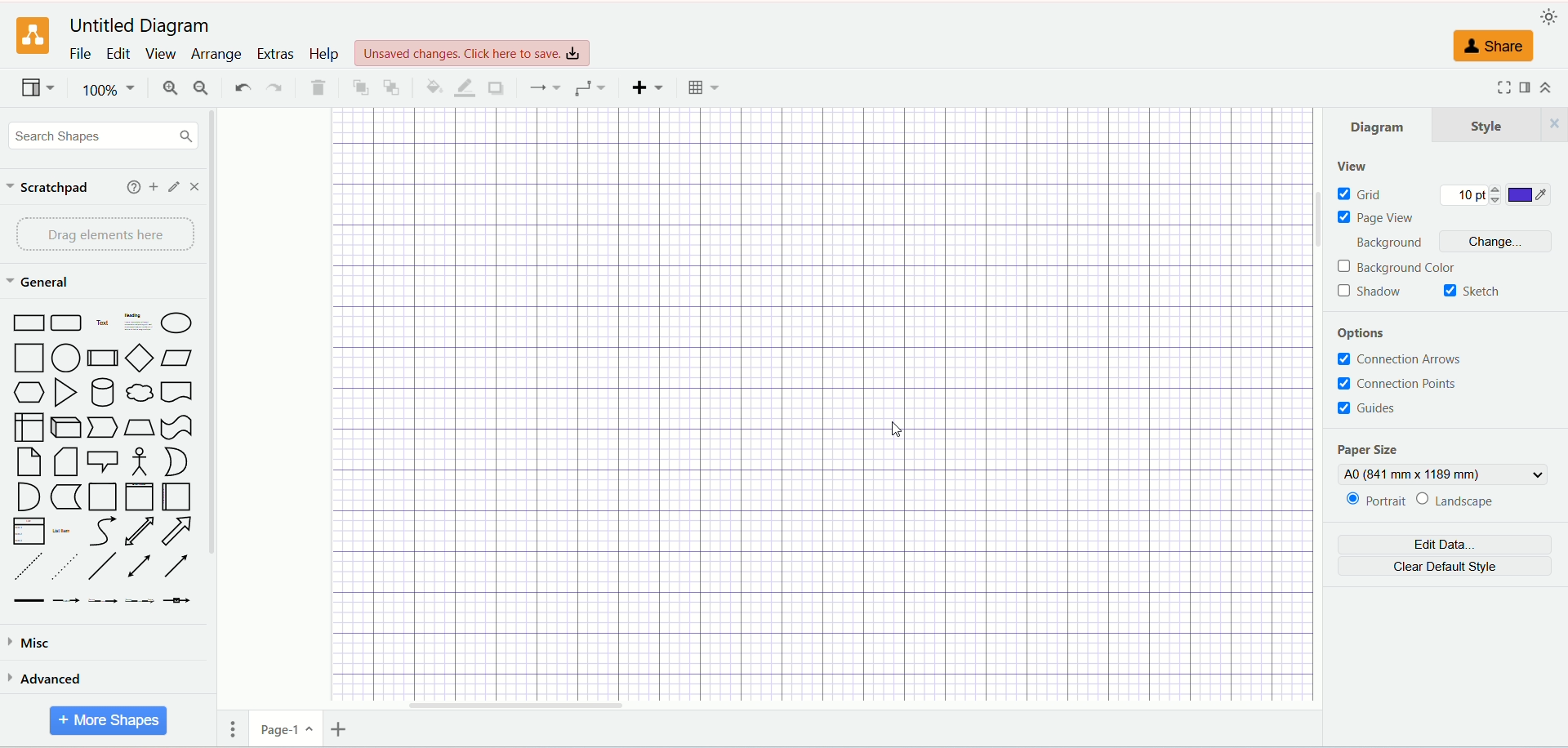  What do you see at coordinates (647, 86) in the screenshot?
I see `insert` at bounding box center [647, 86].